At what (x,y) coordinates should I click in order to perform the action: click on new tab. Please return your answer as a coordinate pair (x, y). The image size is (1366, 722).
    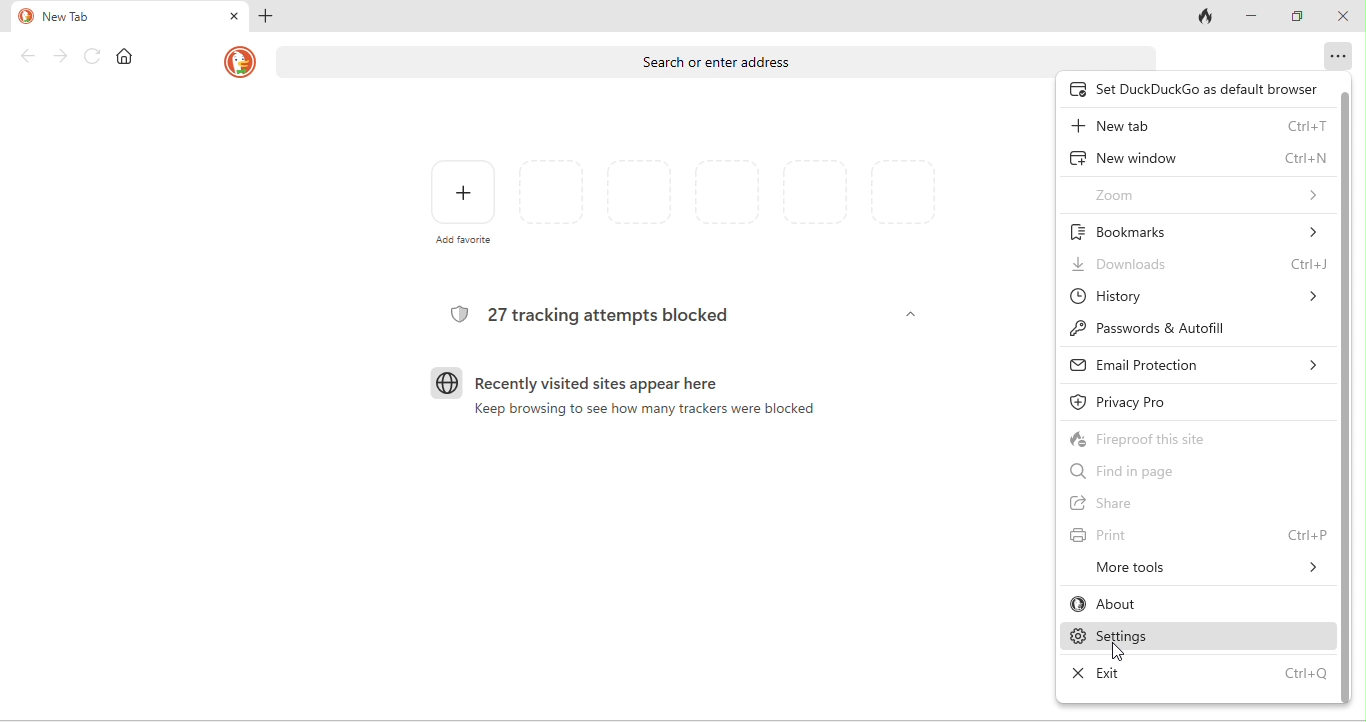
    Looking at the image, I should click on (1198, 127).